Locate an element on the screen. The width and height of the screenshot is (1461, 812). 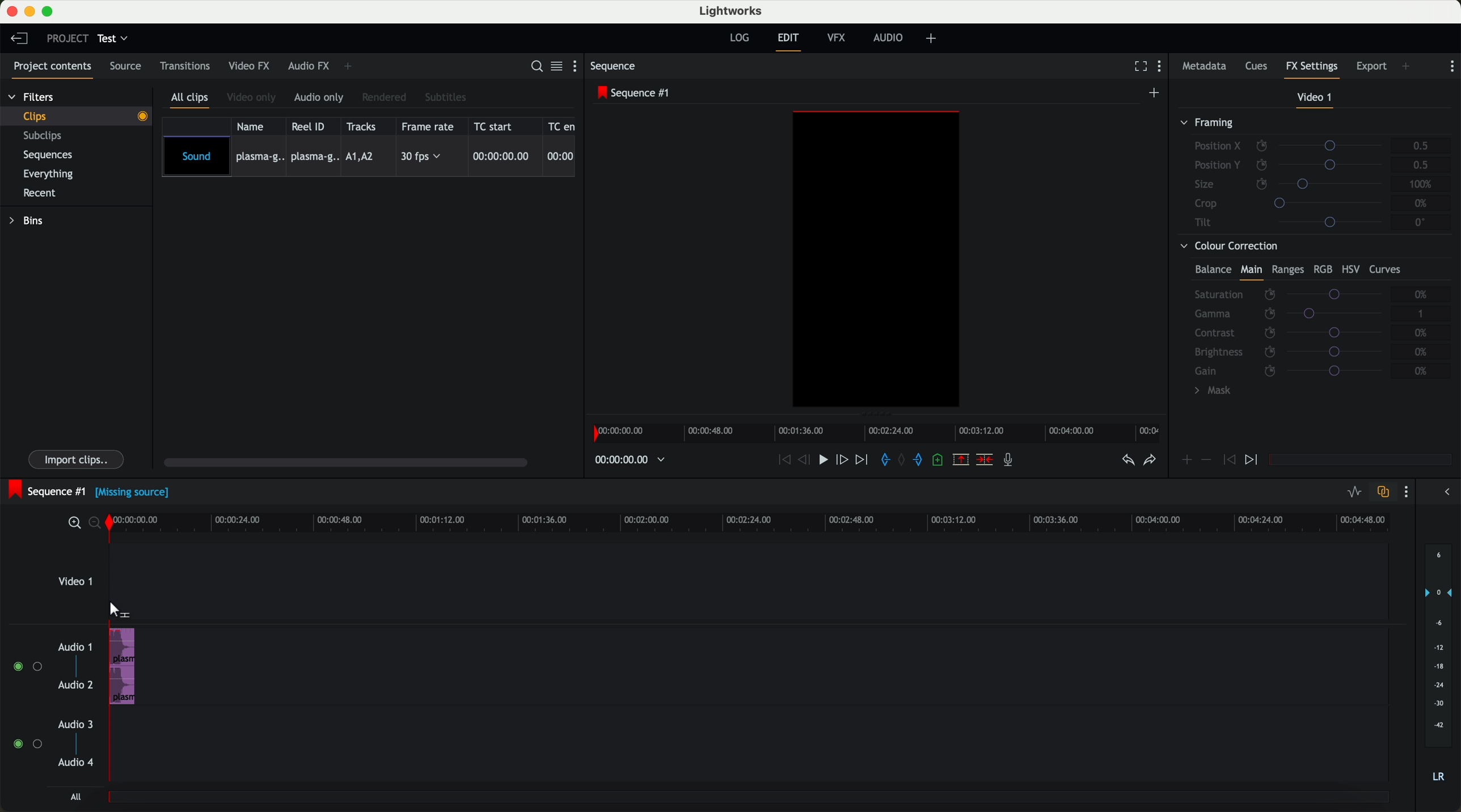
everything is located at coordinates (54, 173).